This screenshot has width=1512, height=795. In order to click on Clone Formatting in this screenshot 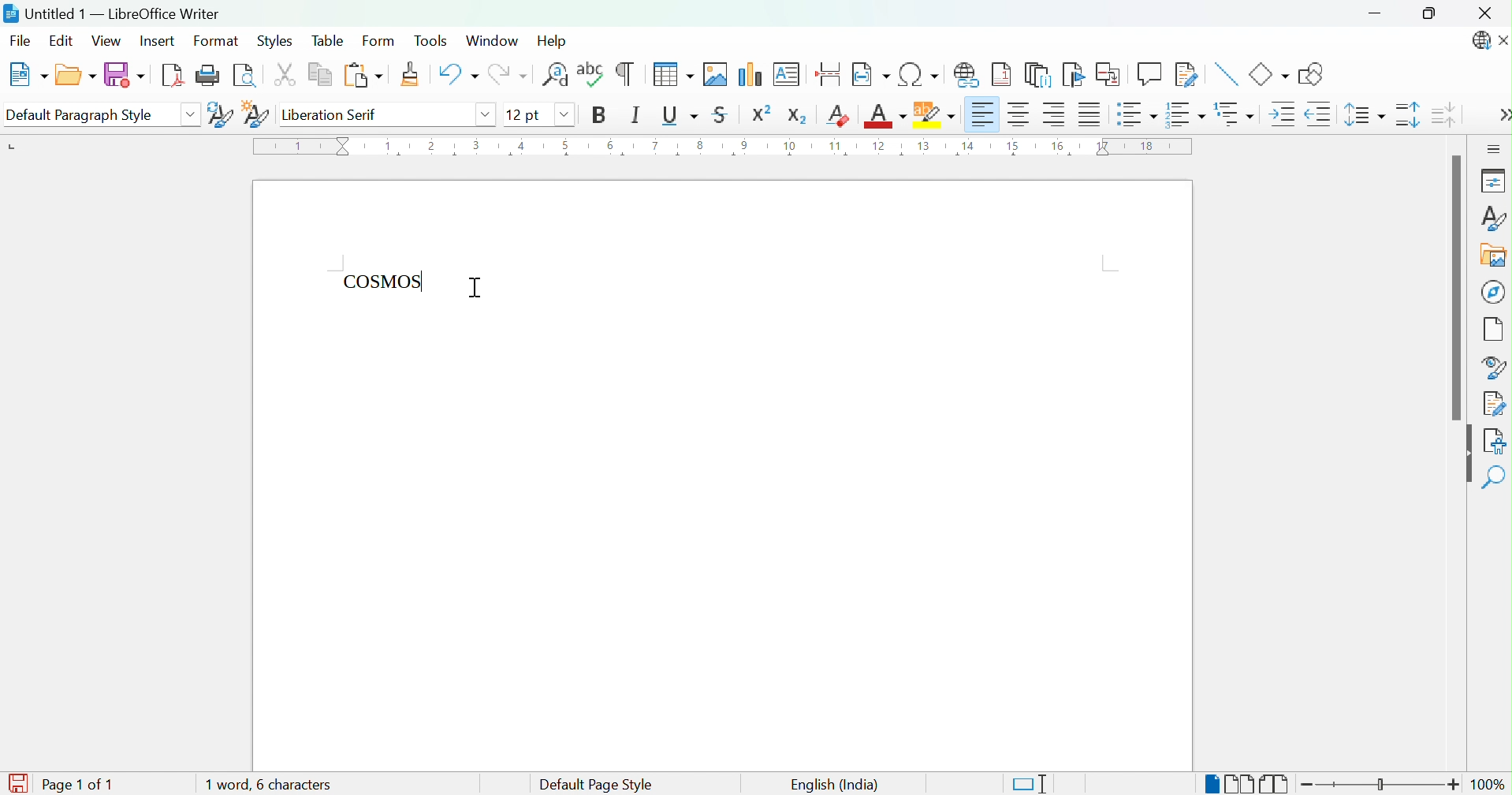, I will do `click(413, 75)`.